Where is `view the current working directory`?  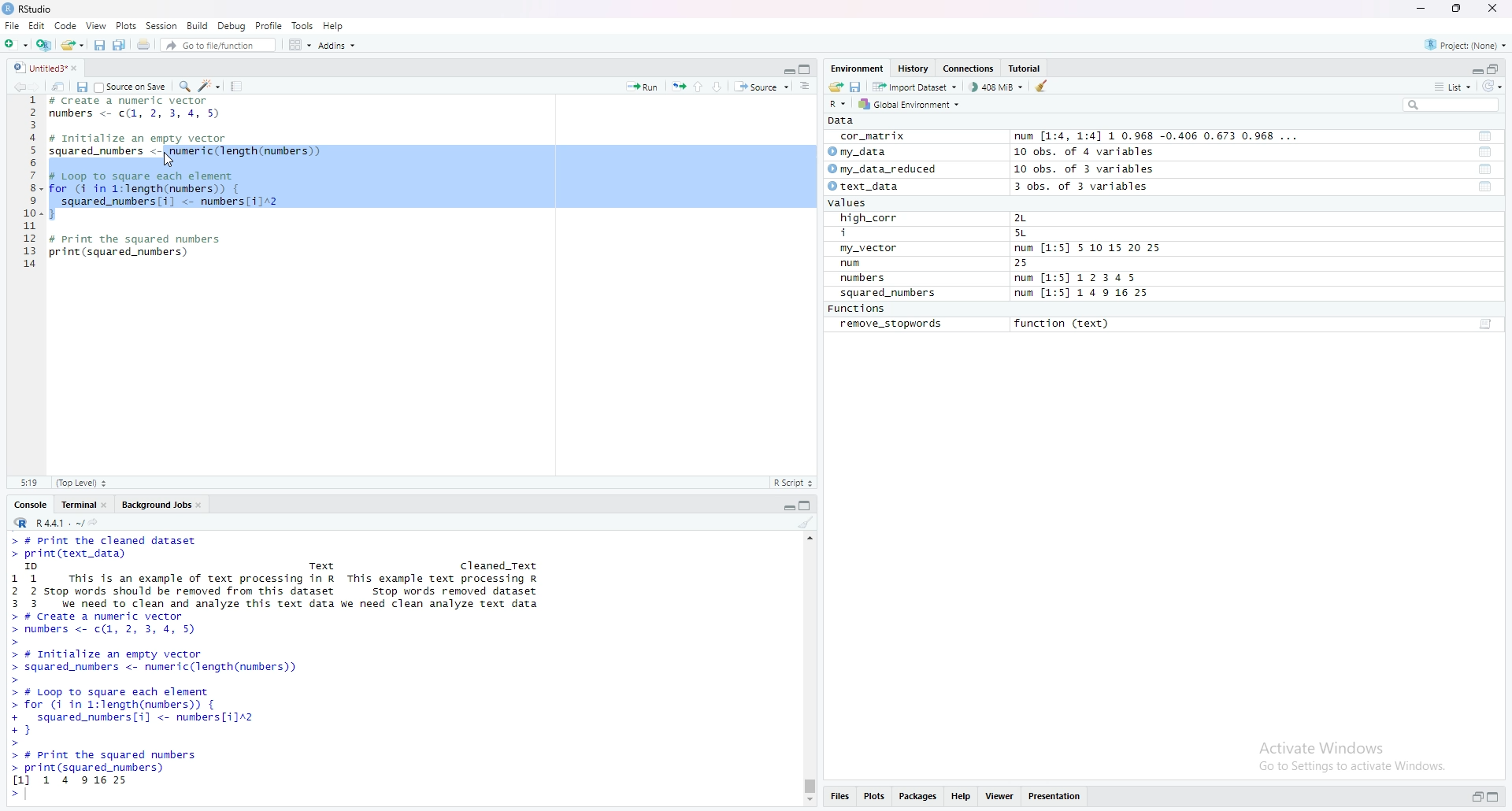
view the current working directory is located at coordinates (94, 521).